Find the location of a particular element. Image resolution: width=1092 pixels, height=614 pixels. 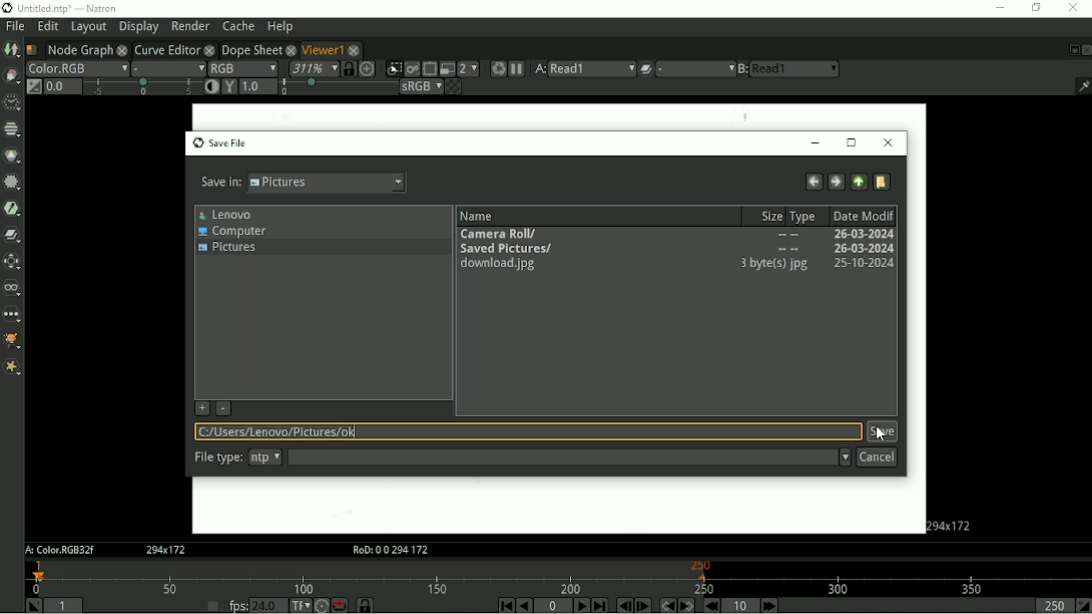

pictures is located at coordinates (339, 184).